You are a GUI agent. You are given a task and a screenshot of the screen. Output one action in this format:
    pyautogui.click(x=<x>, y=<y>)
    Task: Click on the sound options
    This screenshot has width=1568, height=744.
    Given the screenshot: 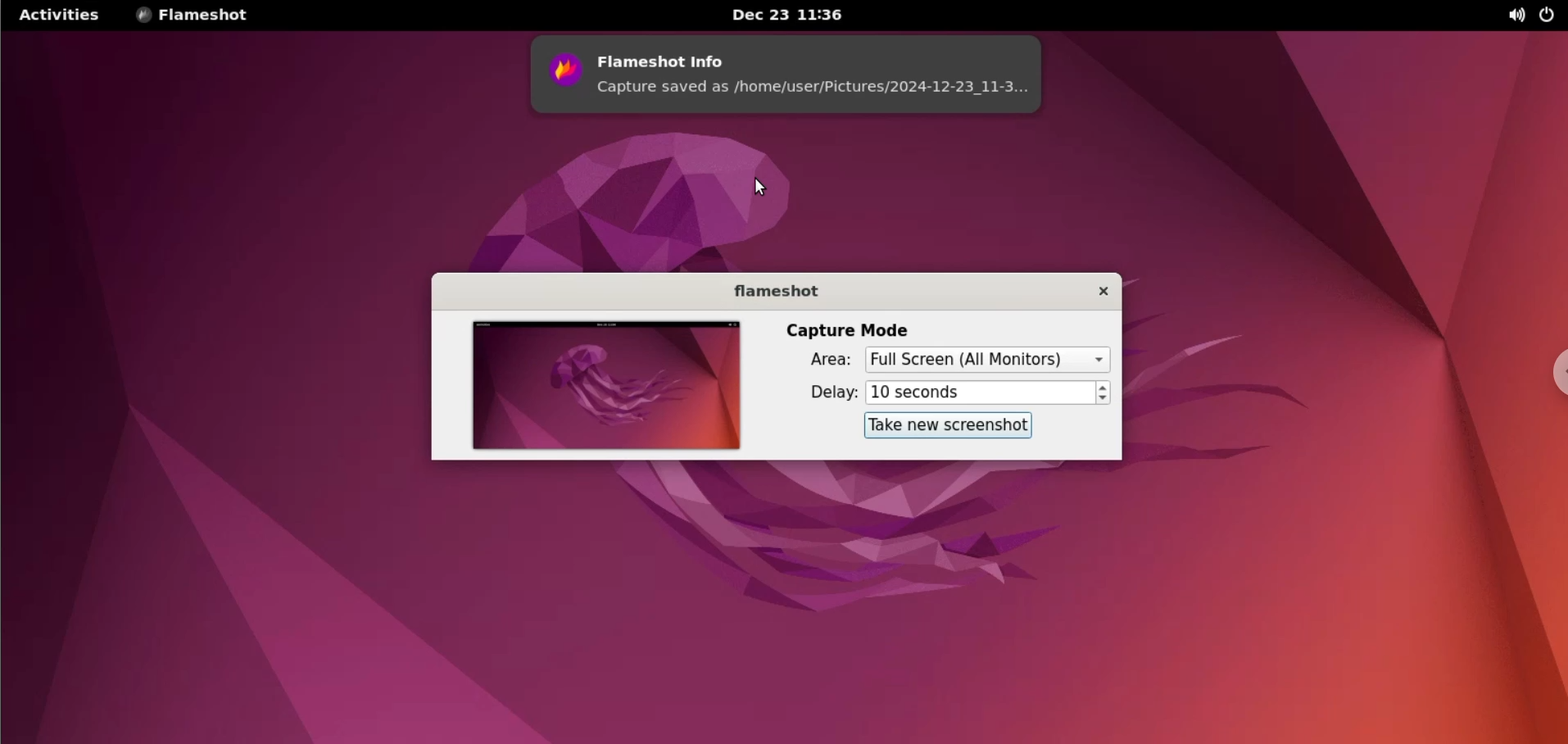 What is the action you would take?
    pyautogui.click(x=1515, y=16)
    